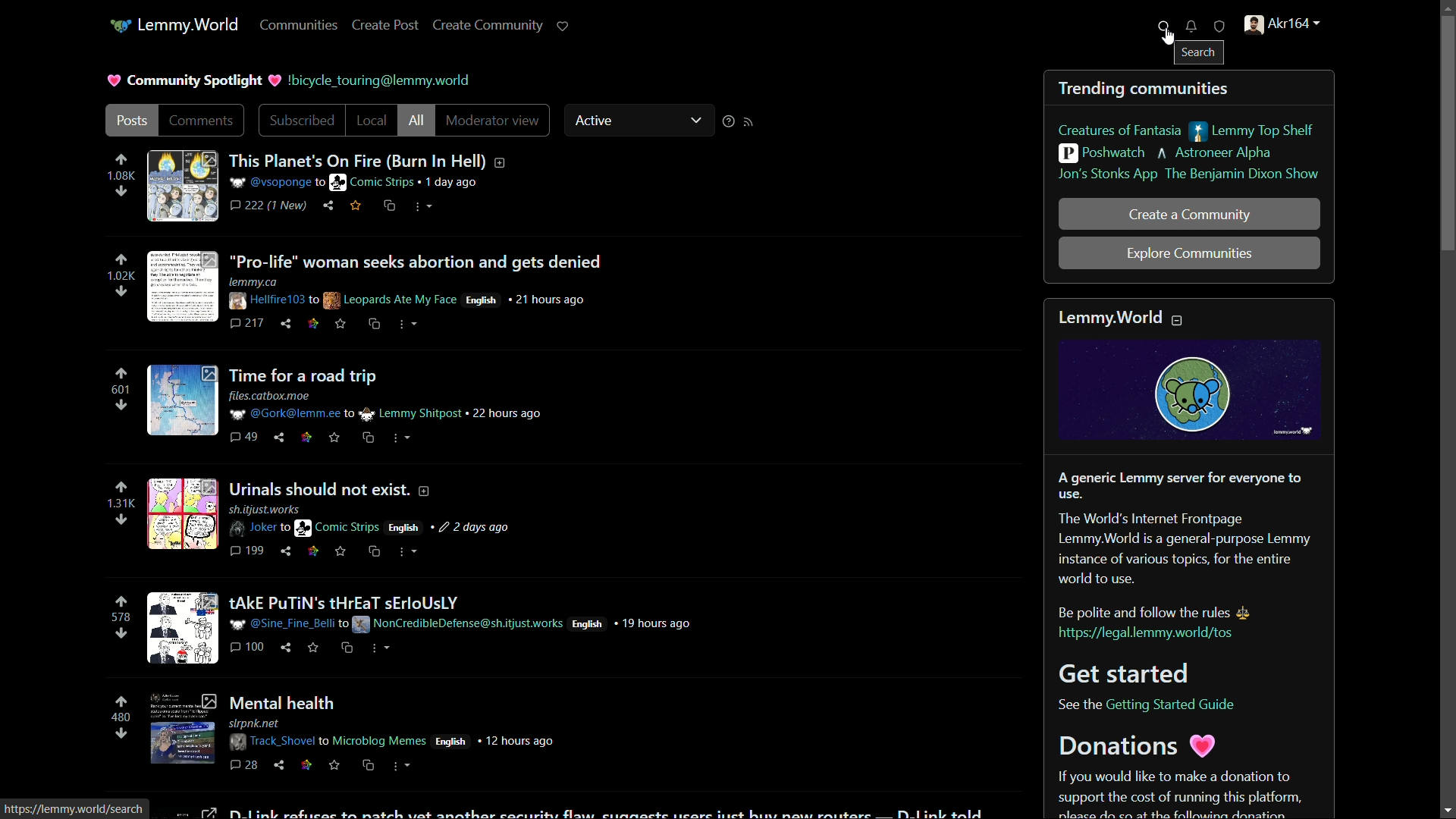 The width and height of the screenshot is (1456, 819). Describe the element at coordinates (77, 808) in the screenshot. I see `text` at that location.